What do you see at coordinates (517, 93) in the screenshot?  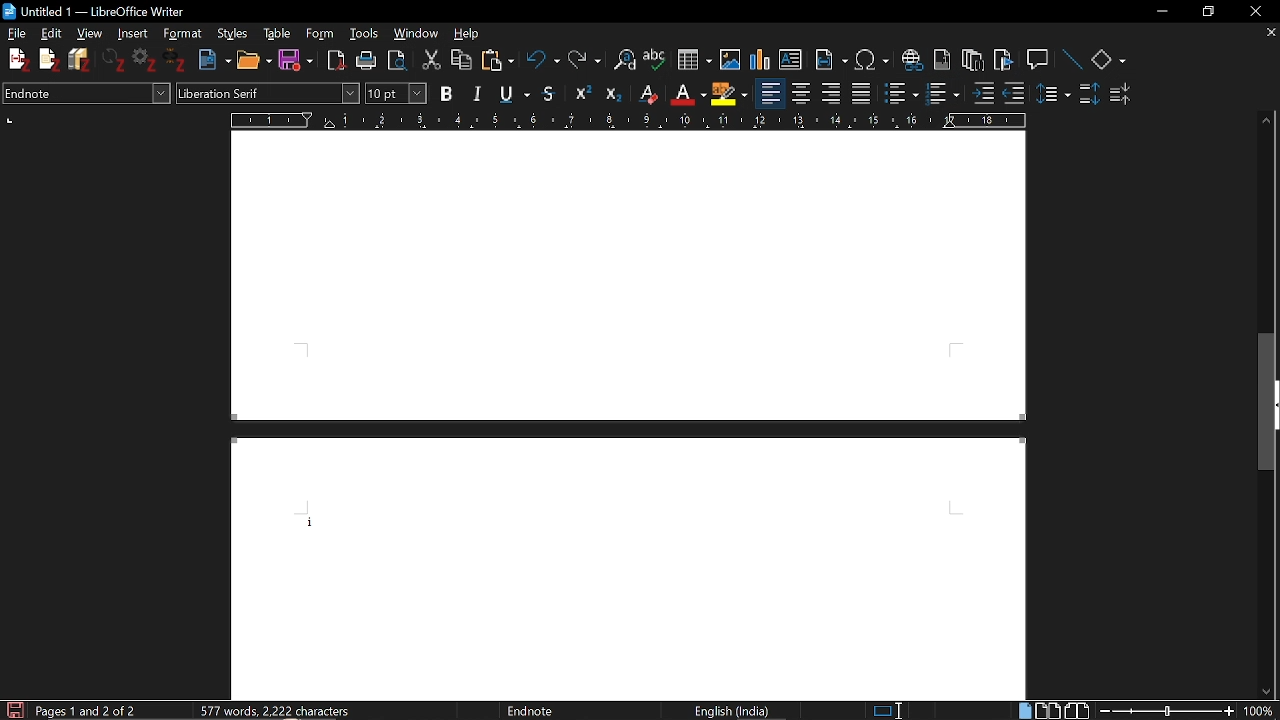 I see `Underline` at bounding box center [517, 93].